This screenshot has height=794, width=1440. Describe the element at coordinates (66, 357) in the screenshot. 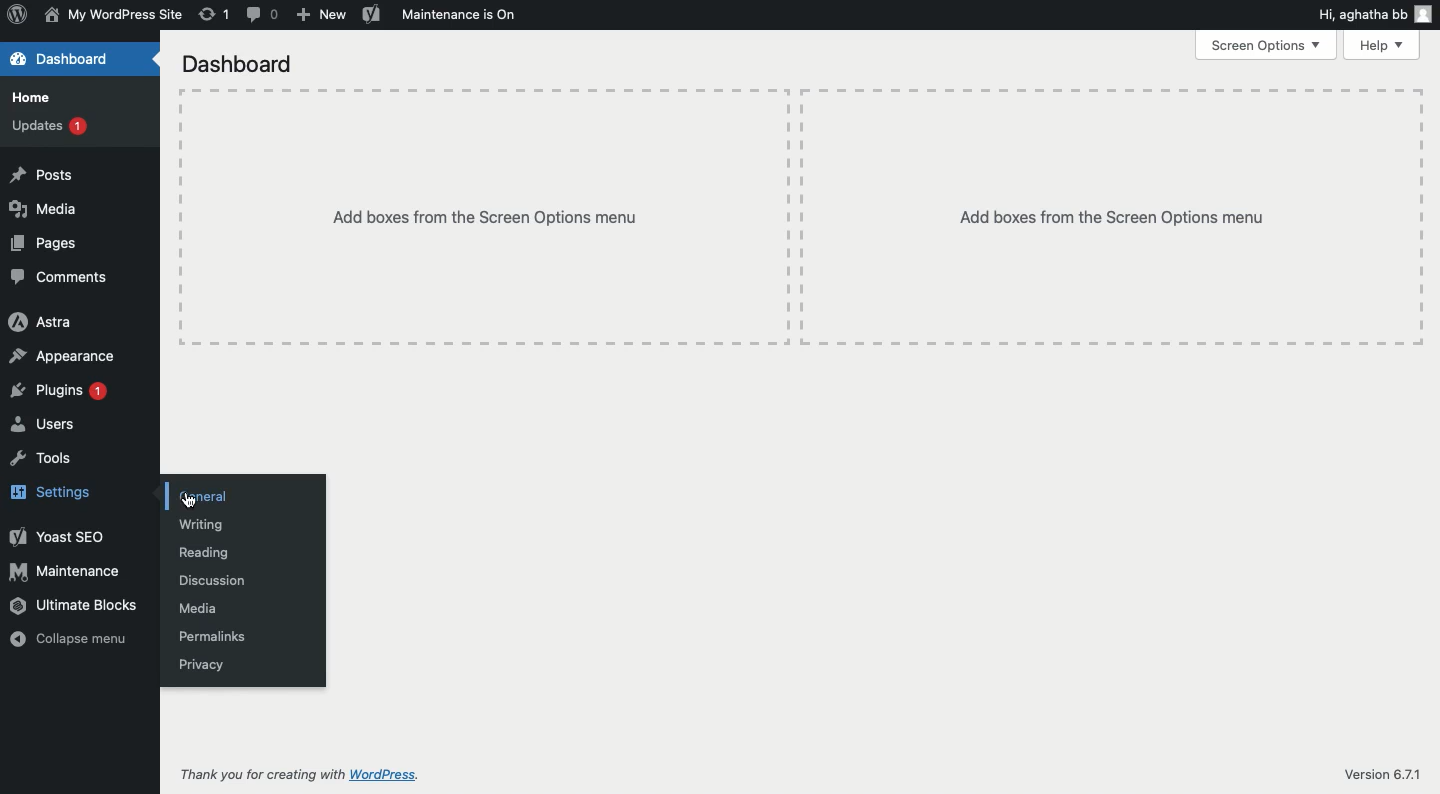

I see `Appearance` at that location.